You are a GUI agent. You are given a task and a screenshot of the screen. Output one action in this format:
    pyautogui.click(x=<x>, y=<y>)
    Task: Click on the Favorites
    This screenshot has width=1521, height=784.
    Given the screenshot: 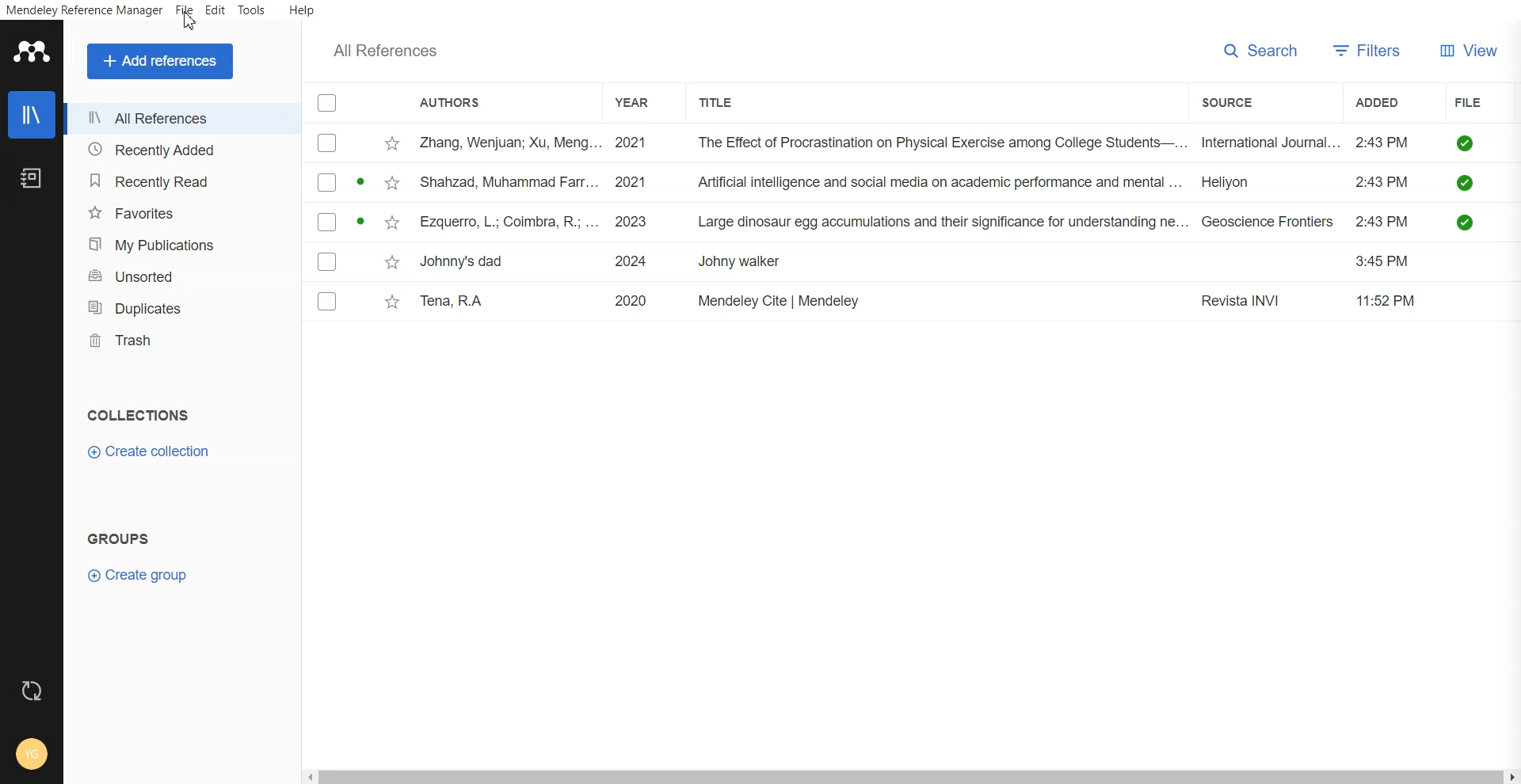 What is the action you would take?
    pyautogui.click(x=176, y=212)
    